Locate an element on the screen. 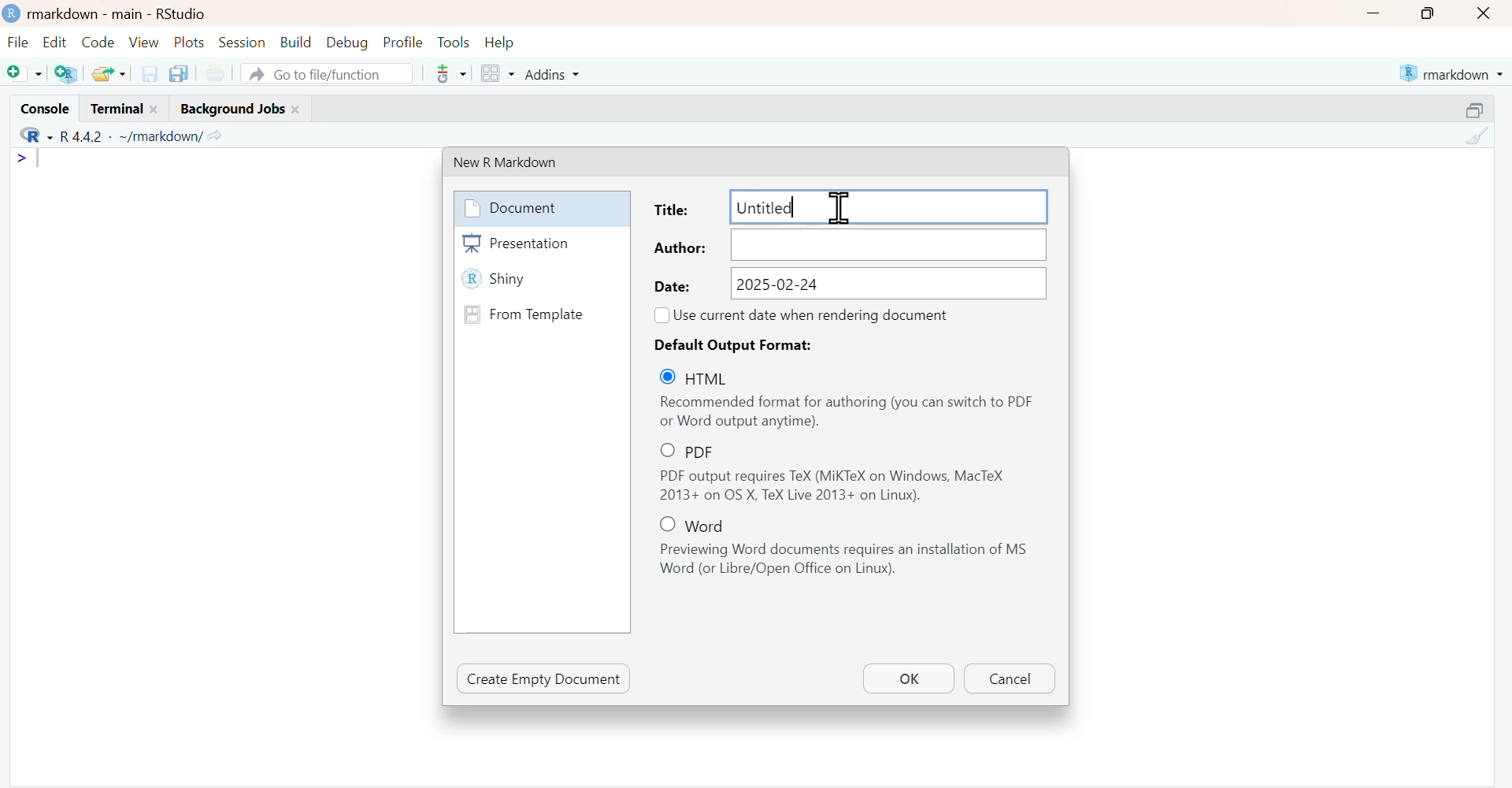 The width and height of the screenshot is (1512, 788). Date - 2025-02-24 is located at coordinates (849, 283).